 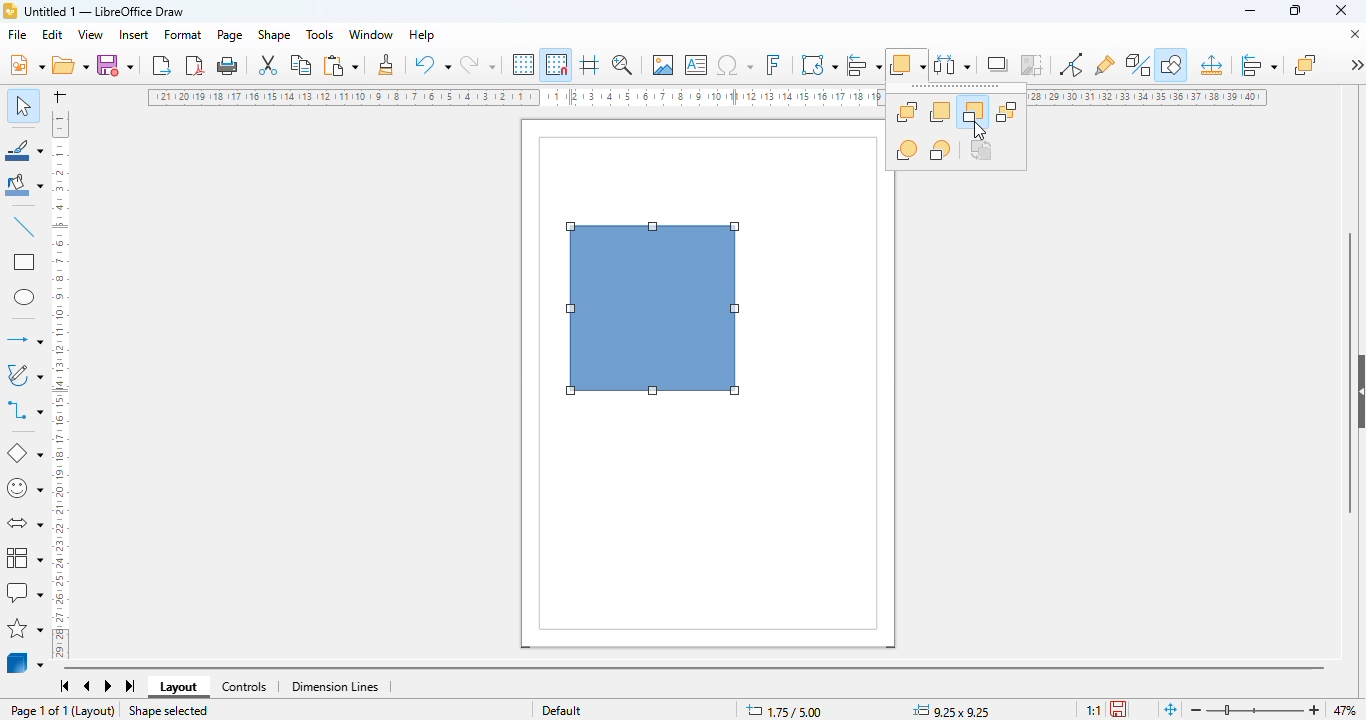 What do you see at coordinates (24, 226) in the screenshot?
I see `insert line` at bounding box center [24, 226].